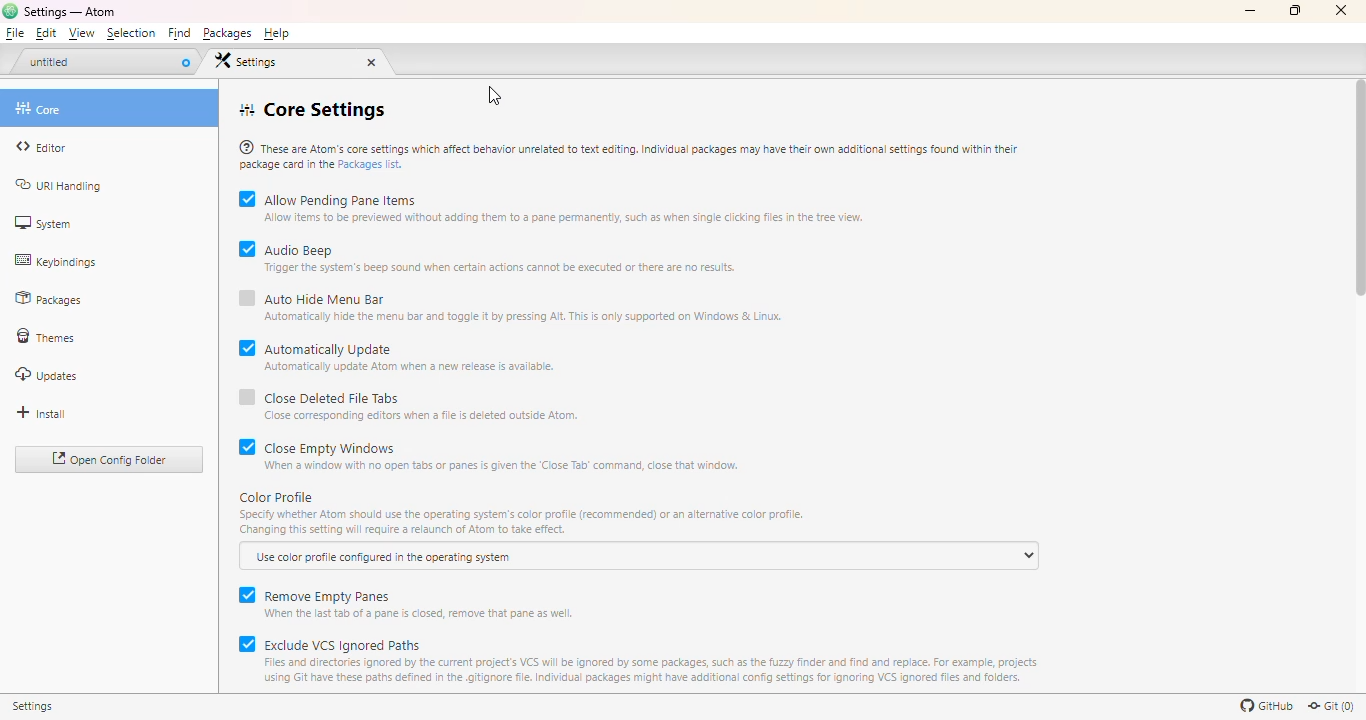  Describe the element at coordinates (247, 353) in the screenshot. I see `checkbox` at that location.